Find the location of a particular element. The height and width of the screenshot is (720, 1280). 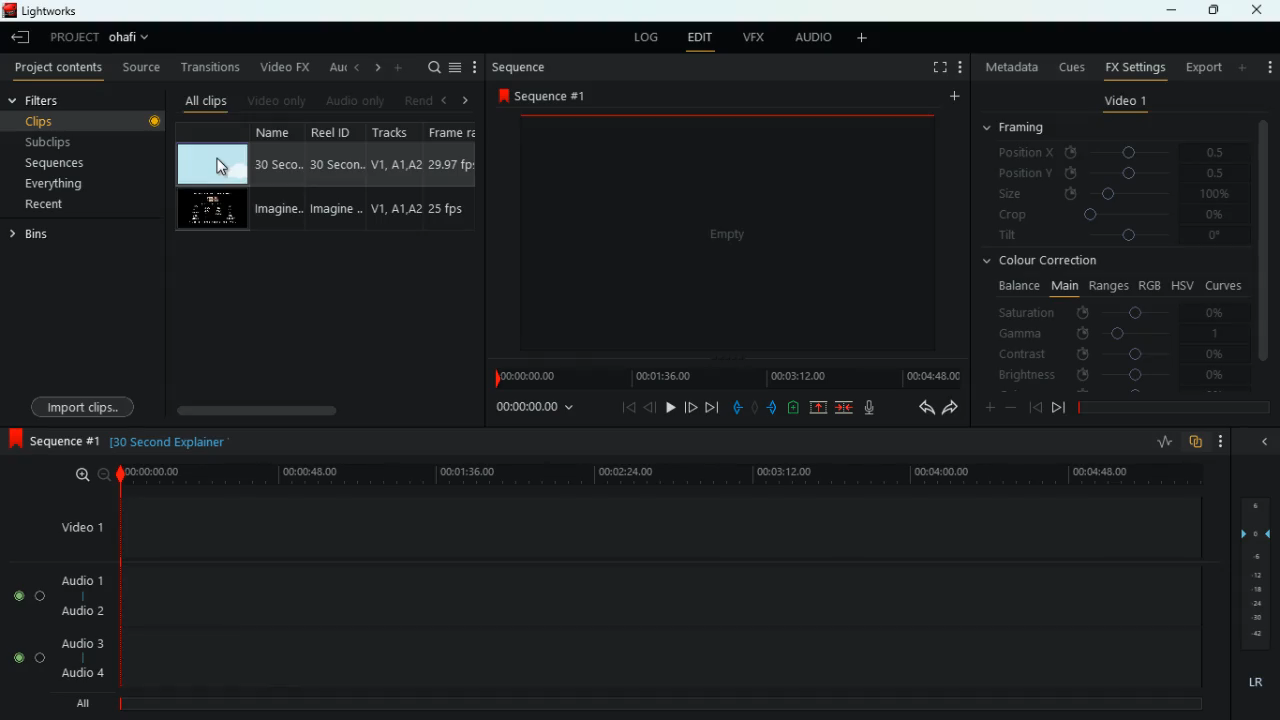

sequence is located at coordinates (521, 67).